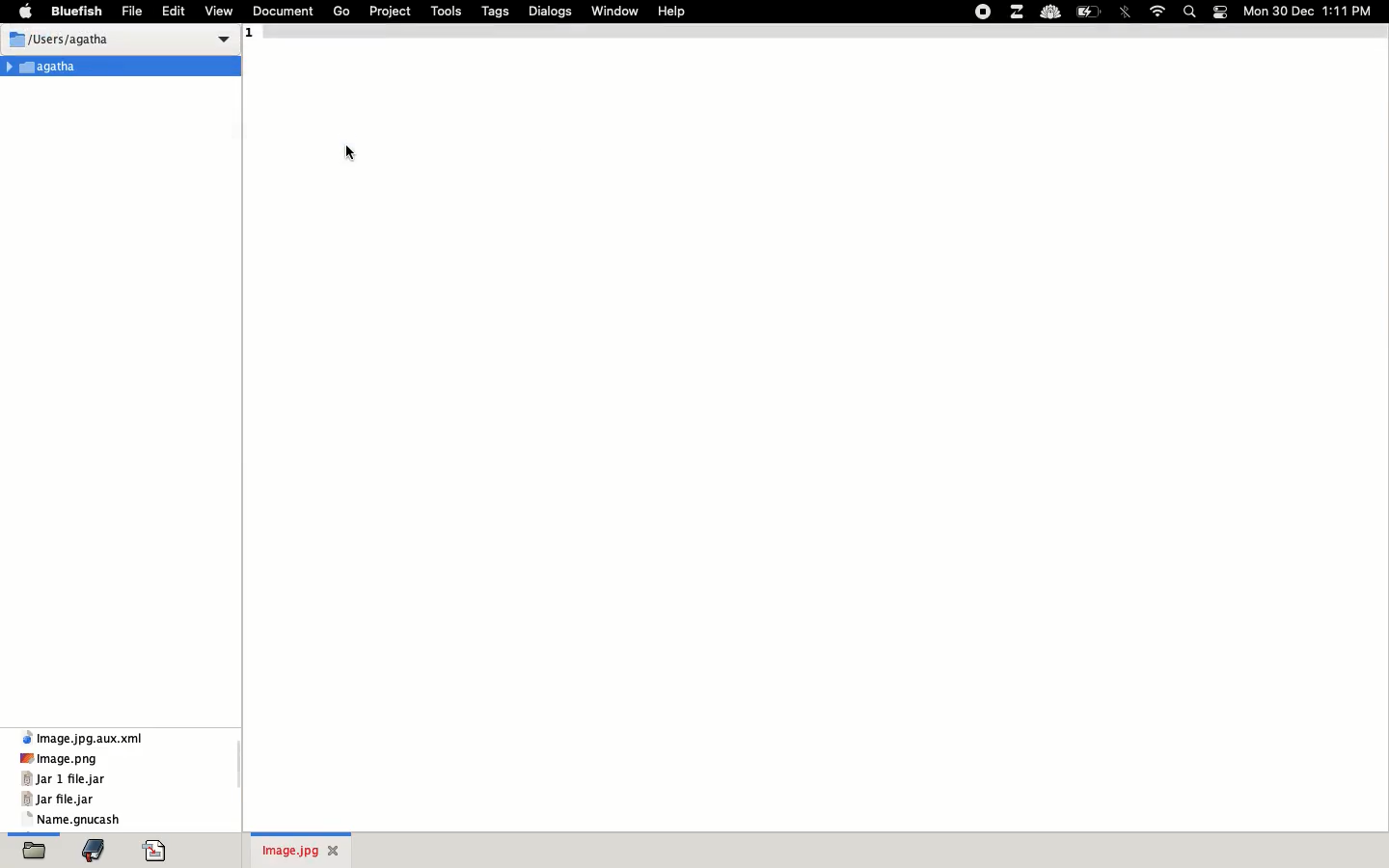 This screenshot has width=1389, height=868. What do you see at coordinates (255, 38) in the screenshot?
I see `1` at bounding box center [255, 38].